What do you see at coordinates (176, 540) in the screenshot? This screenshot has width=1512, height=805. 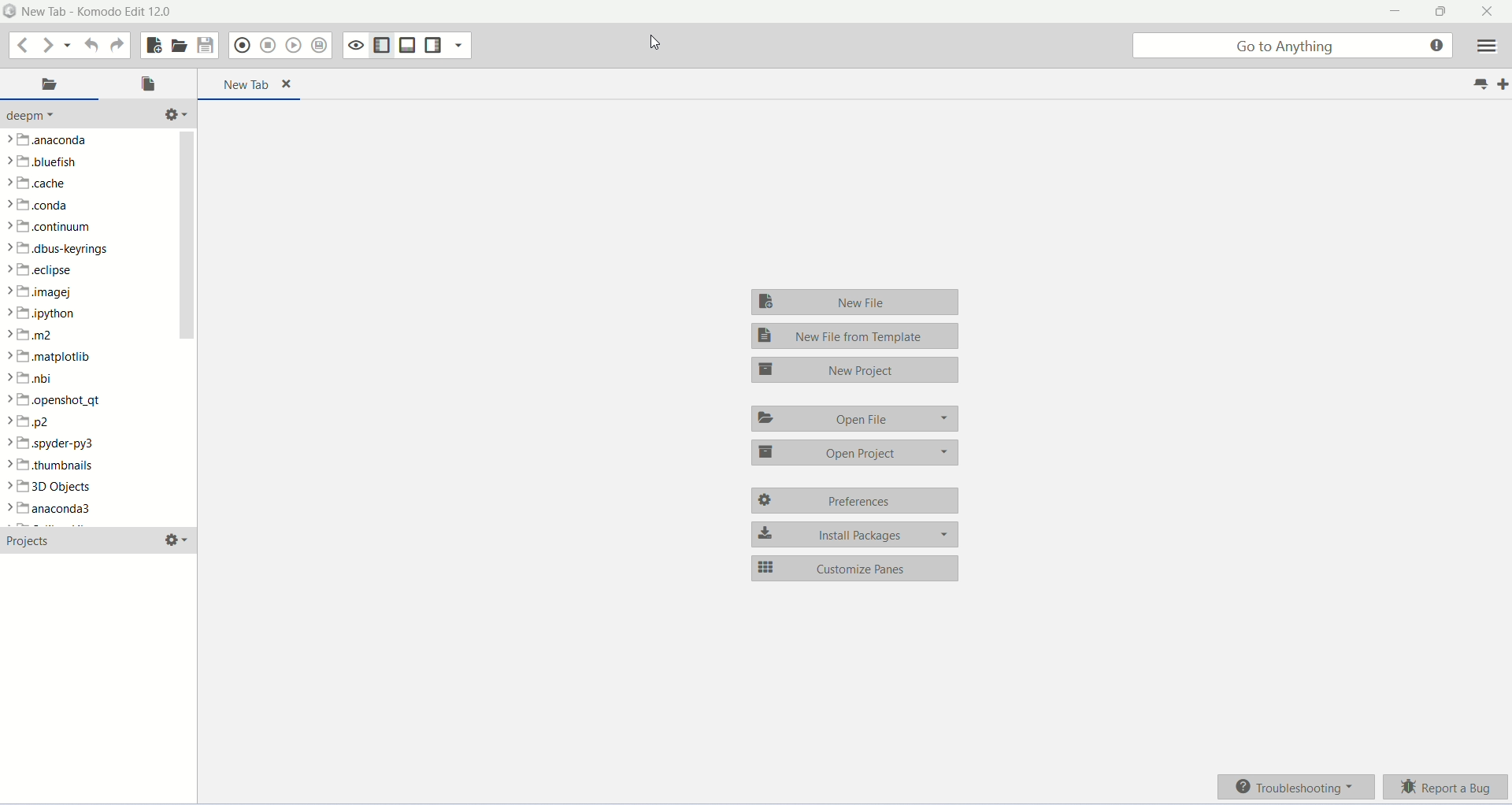 I see `directory related function` at bounding box center [176, 540].